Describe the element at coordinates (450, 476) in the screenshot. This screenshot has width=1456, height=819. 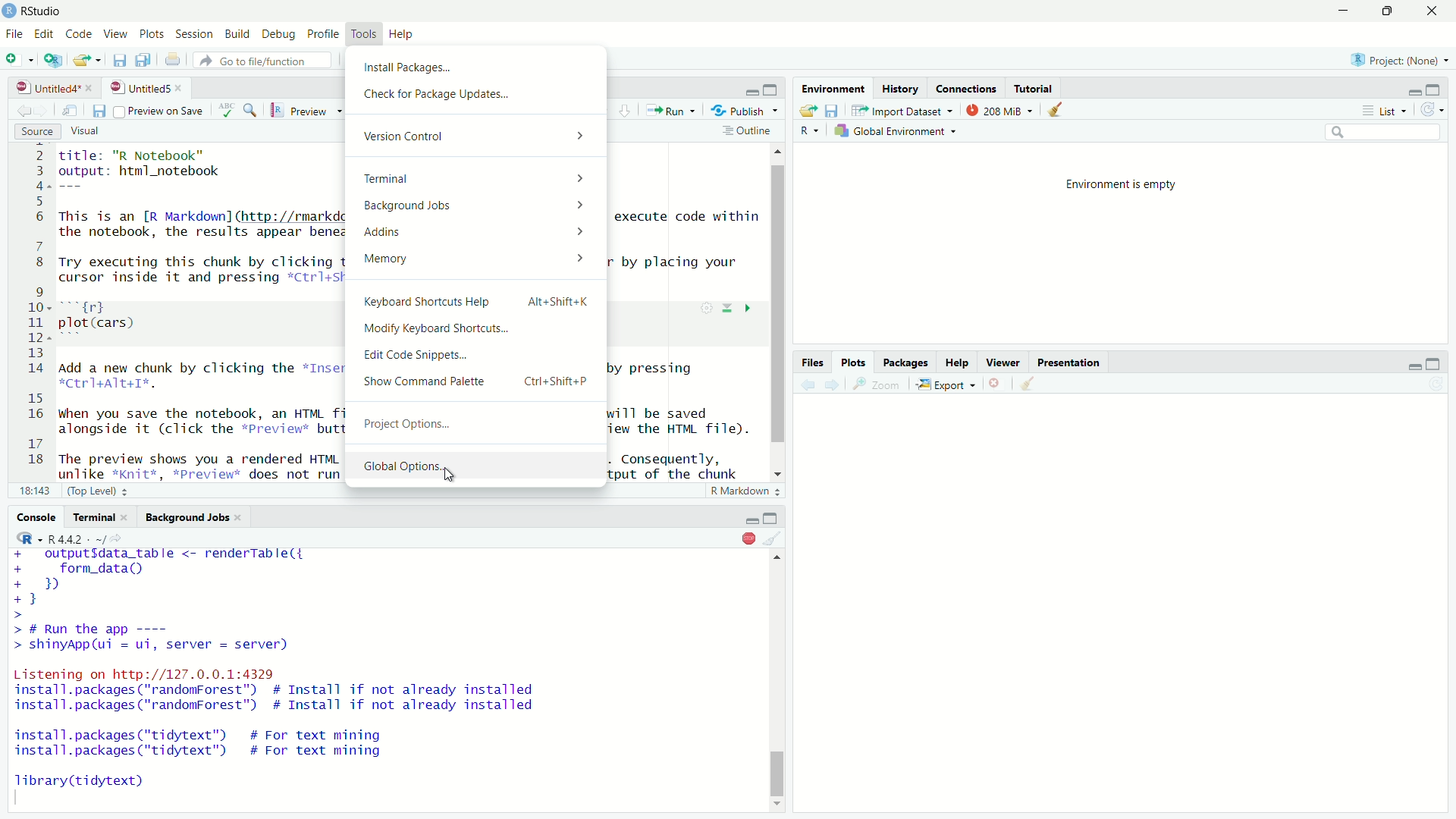
I see `cursor` at that location.